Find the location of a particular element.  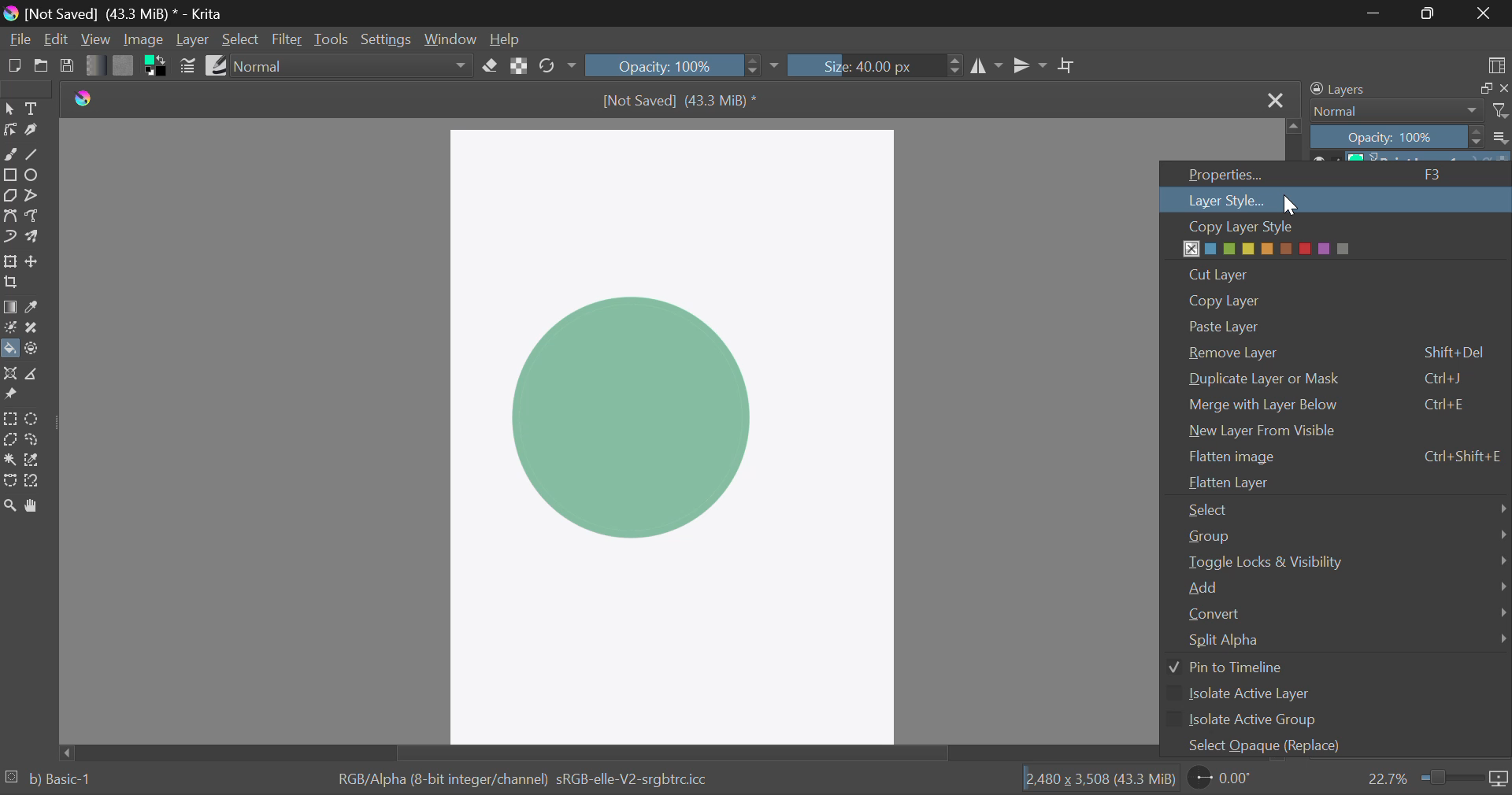

Rotate is located at coordinates (558, 66).